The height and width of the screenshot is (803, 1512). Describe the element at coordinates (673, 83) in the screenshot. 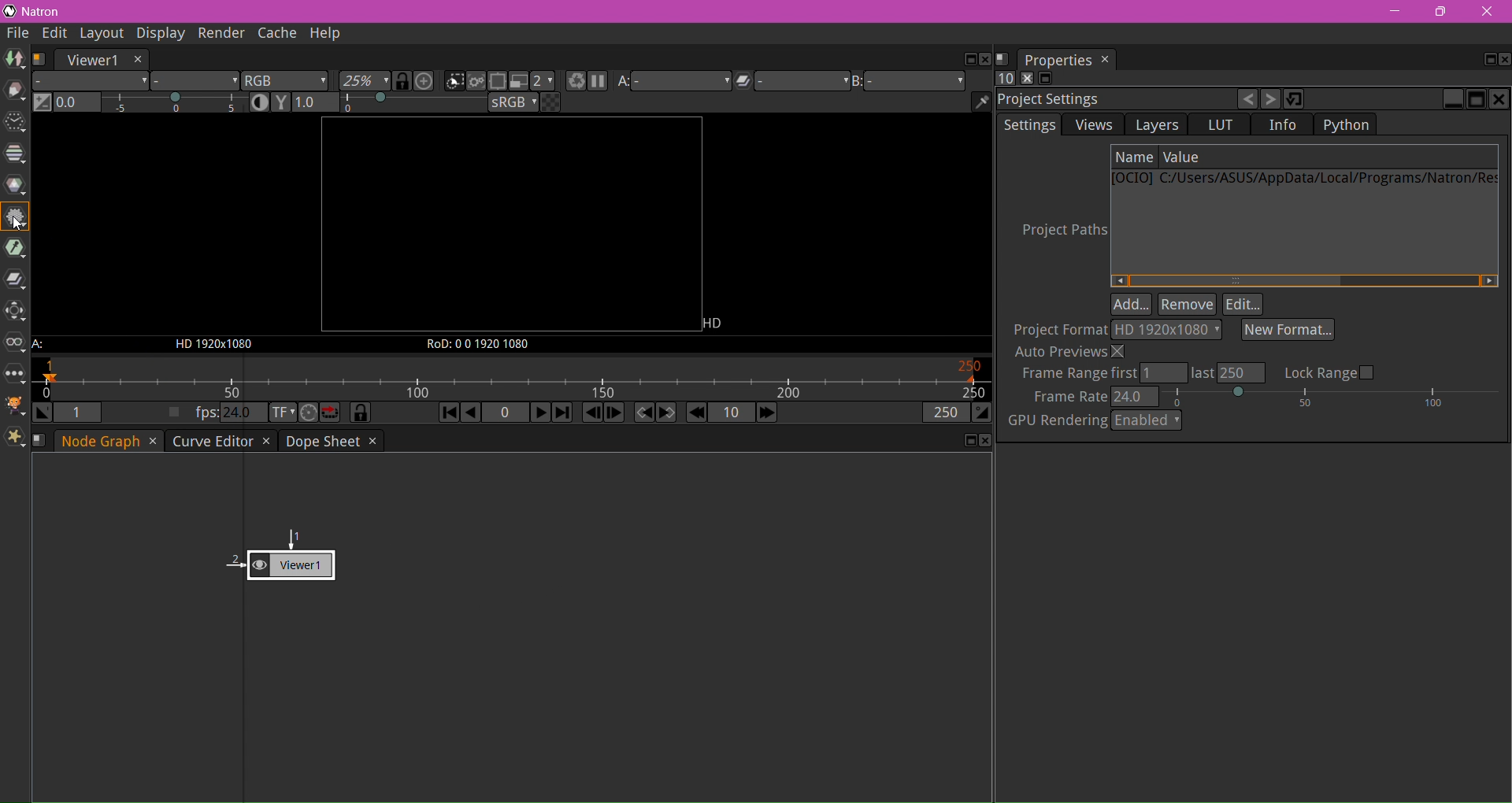

I see `Viewer Input A` at that location.